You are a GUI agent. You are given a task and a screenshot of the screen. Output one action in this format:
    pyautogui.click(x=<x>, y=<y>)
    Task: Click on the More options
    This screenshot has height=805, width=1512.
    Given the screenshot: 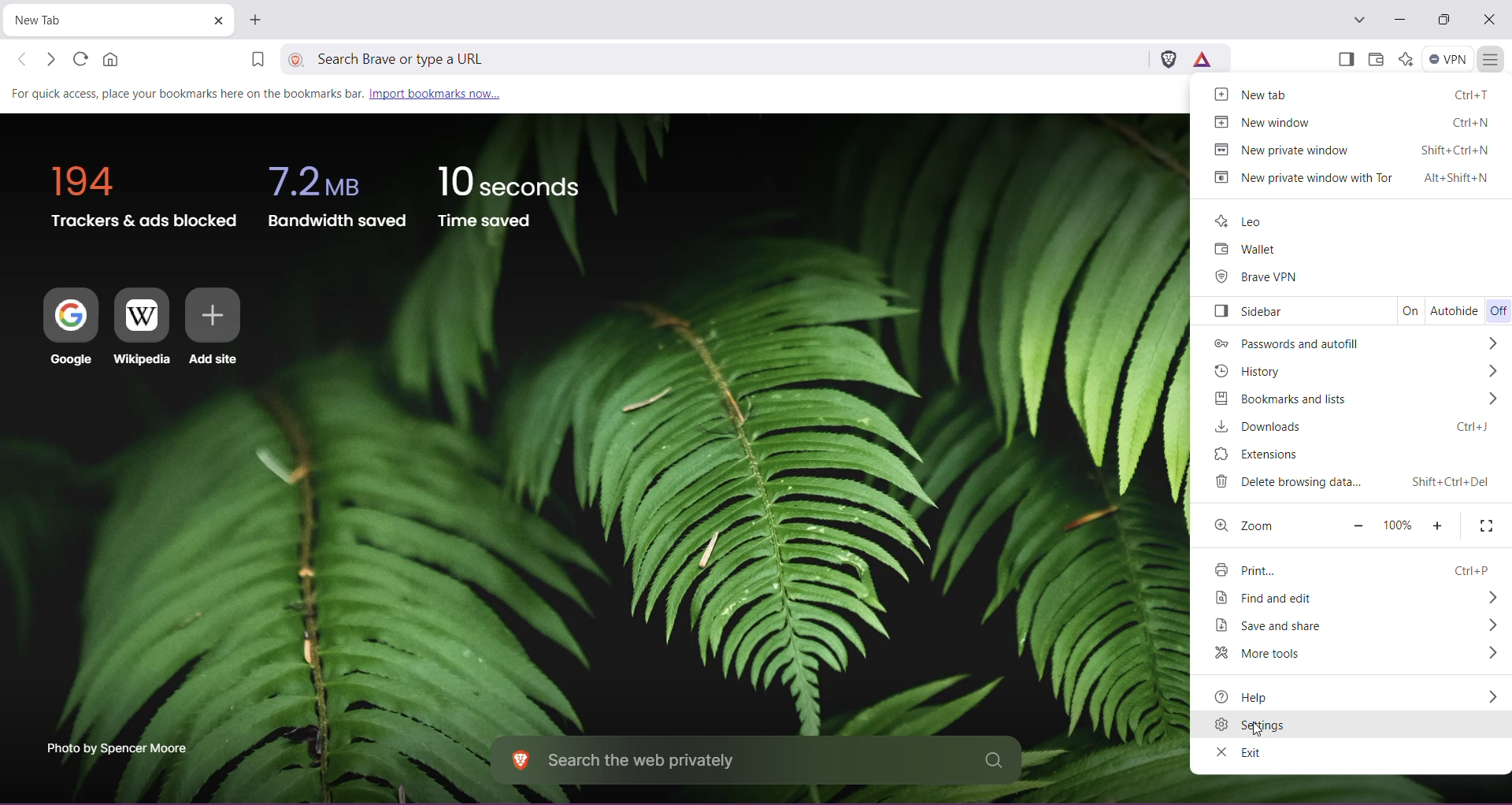 What is the action you would take?
    pyautogui.click(x=1490, y=655)
    